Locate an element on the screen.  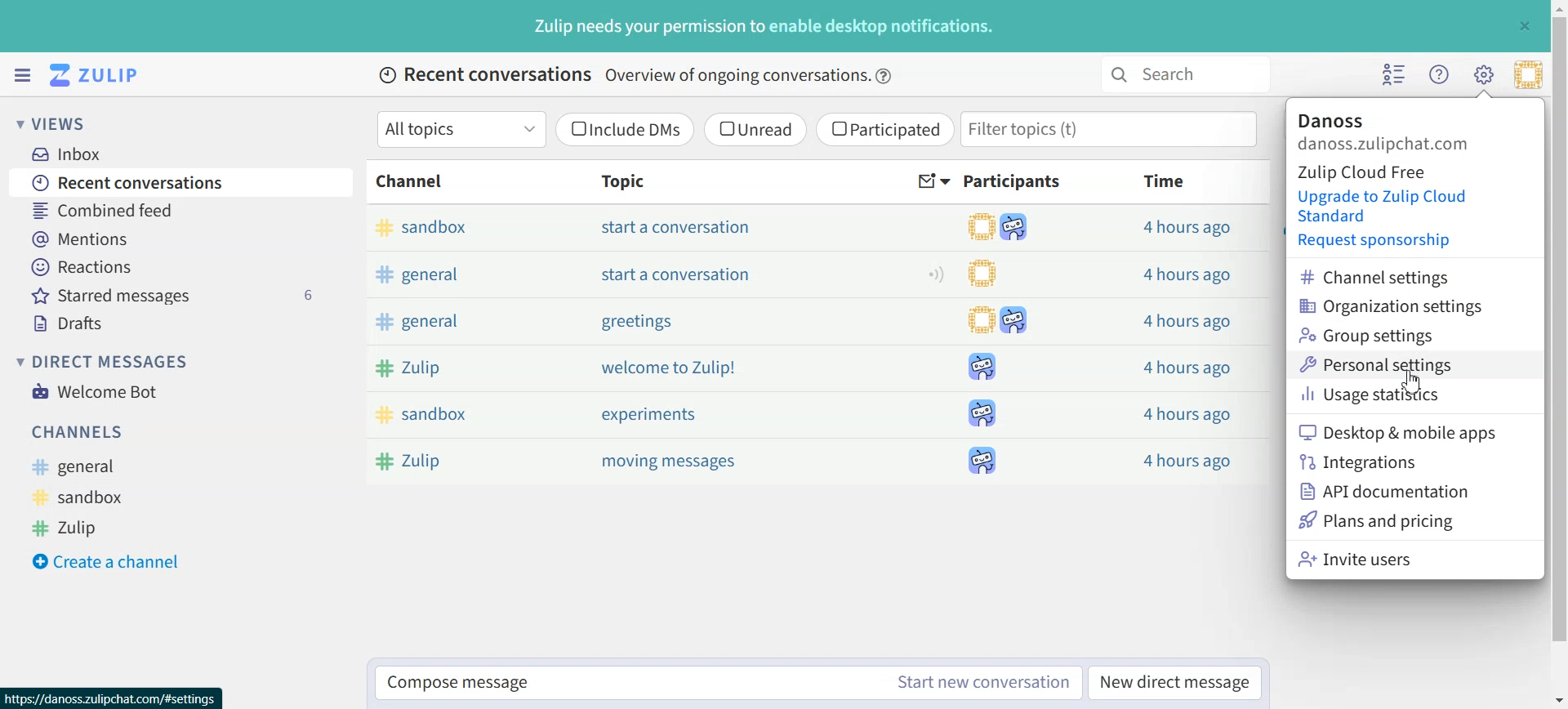
Welcome Bot is located at coordinates (95, 390).